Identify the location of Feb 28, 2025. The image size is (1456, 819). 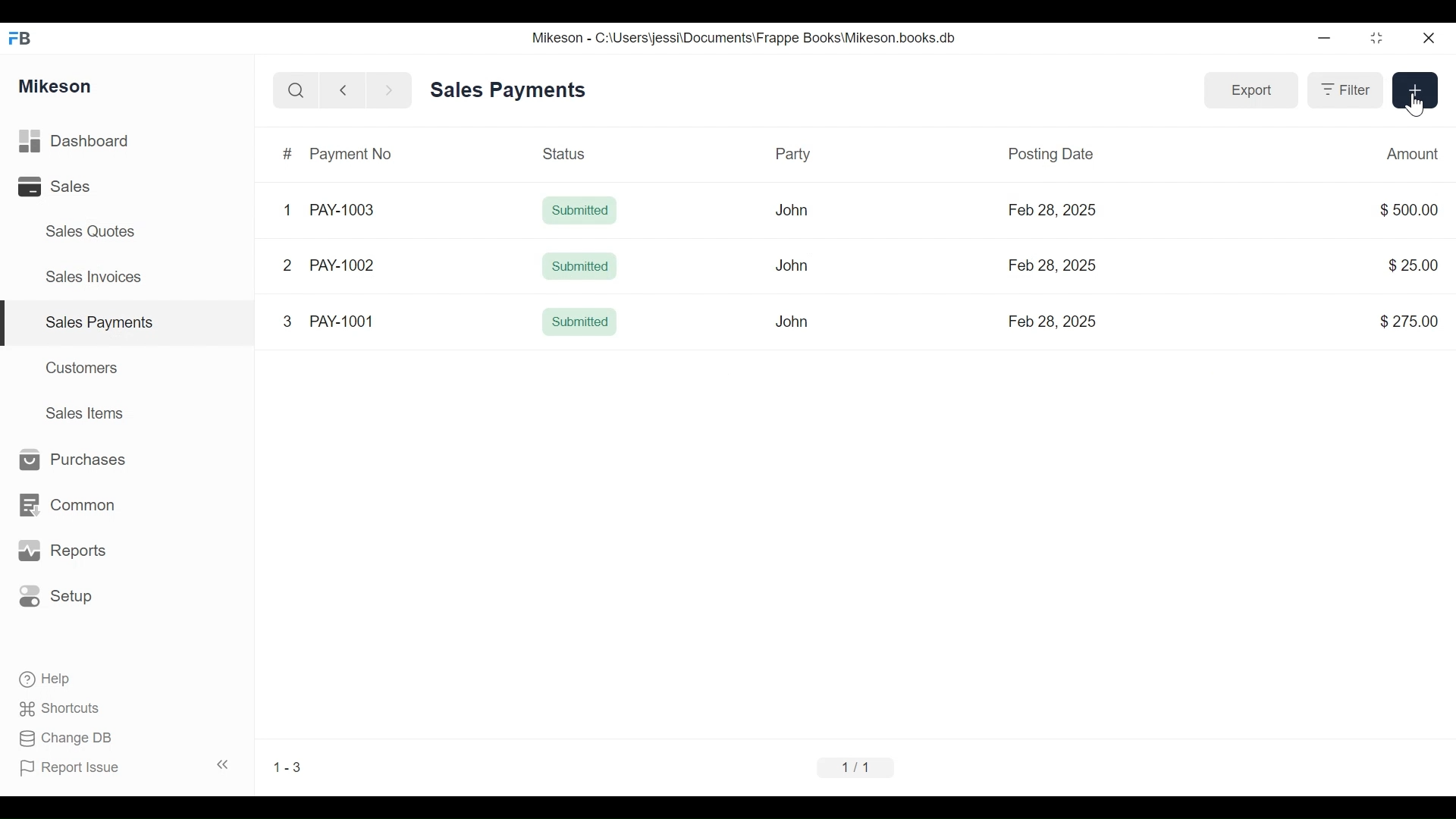
(1052, 211).